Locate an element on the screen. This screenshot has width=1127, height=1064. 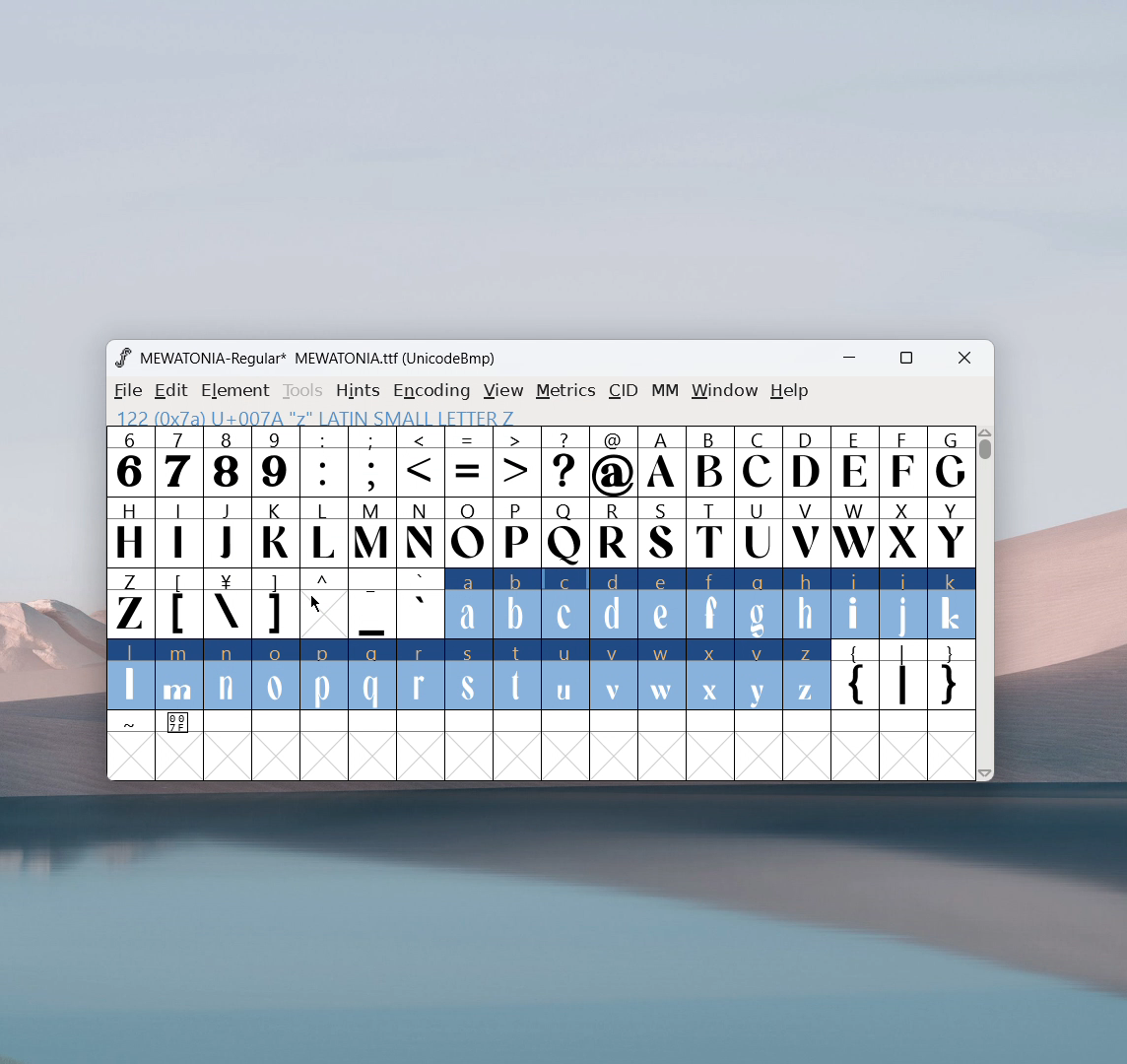
a is located at coordinates (468, 605).